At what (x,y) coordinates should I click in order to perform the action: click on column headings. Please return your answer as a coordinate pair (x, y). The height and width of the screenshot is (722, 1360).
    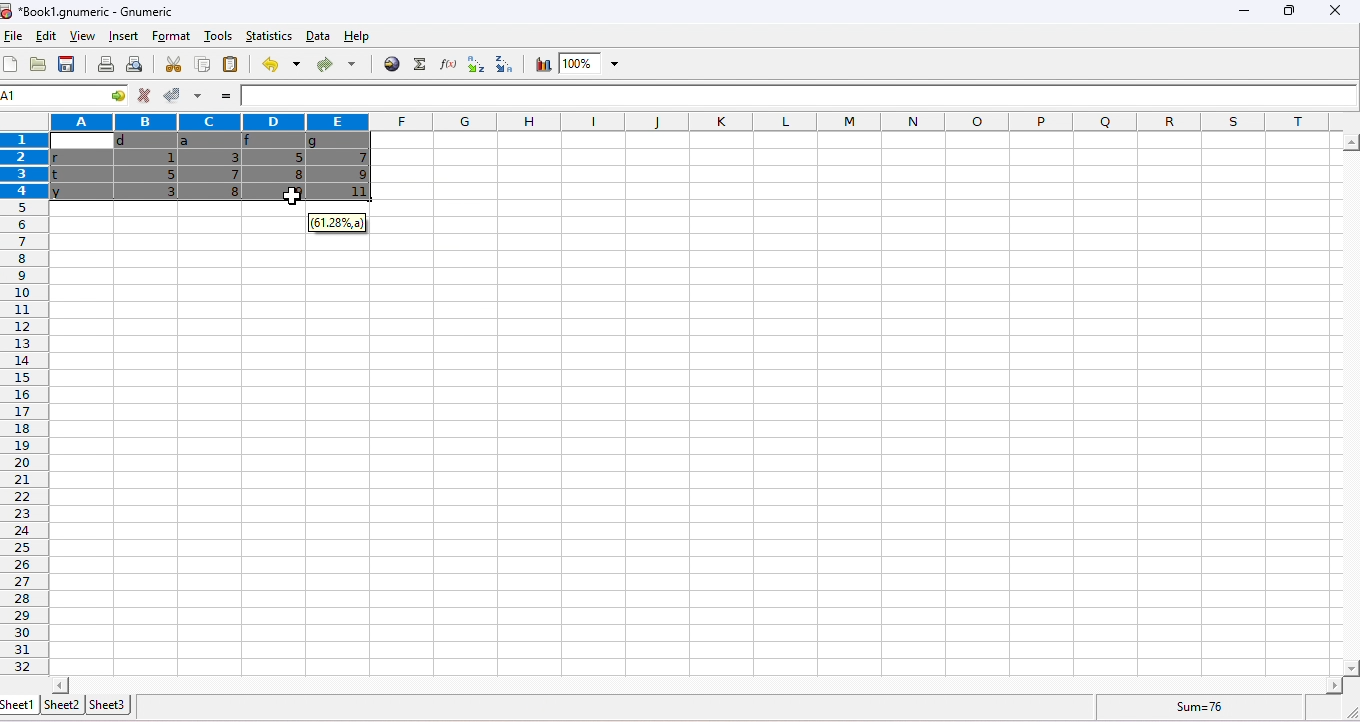
    Looking at the image, I should click on (694, 122).